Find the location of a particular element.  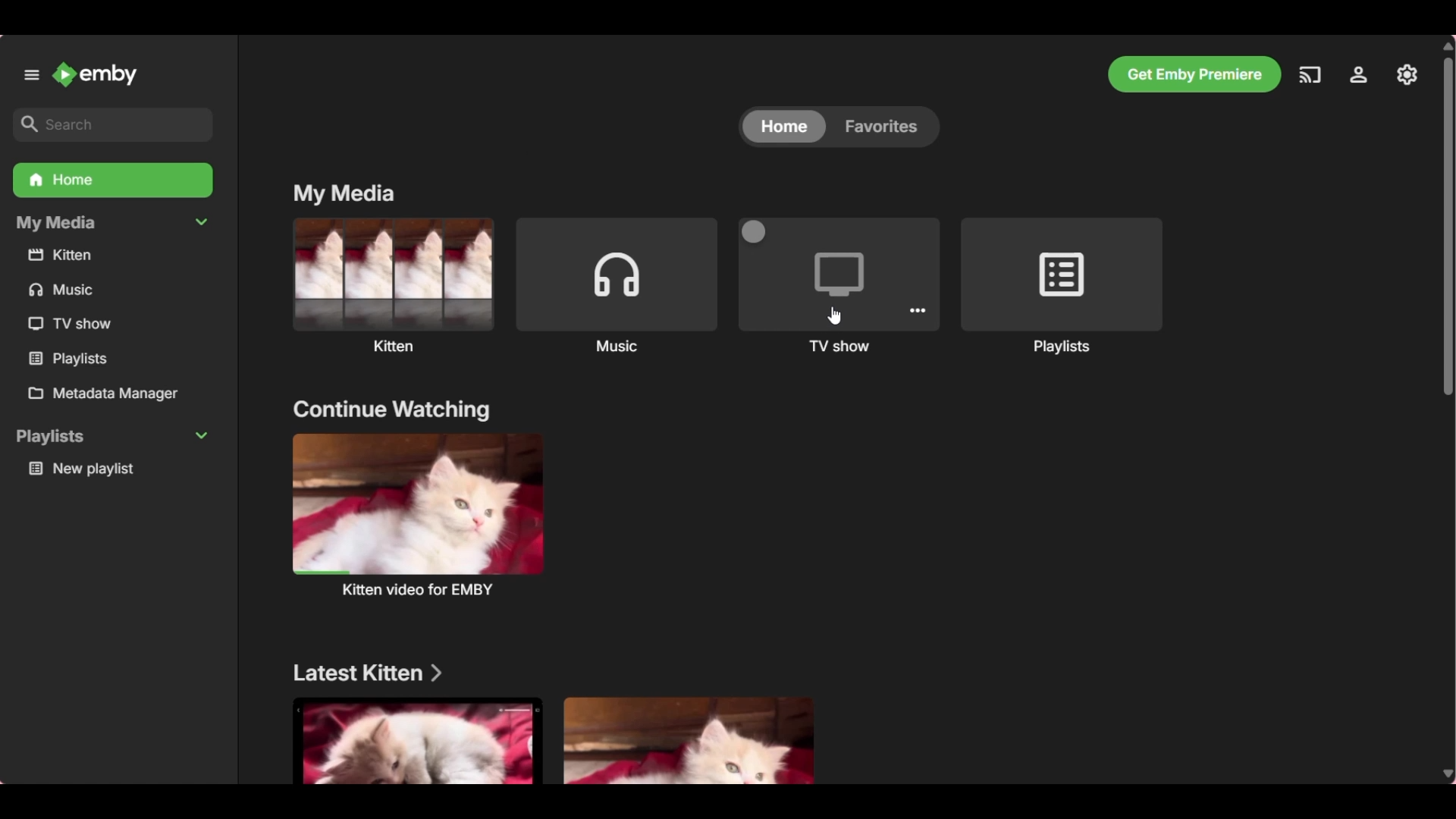

Kitten is located at coordinates (392, 274).